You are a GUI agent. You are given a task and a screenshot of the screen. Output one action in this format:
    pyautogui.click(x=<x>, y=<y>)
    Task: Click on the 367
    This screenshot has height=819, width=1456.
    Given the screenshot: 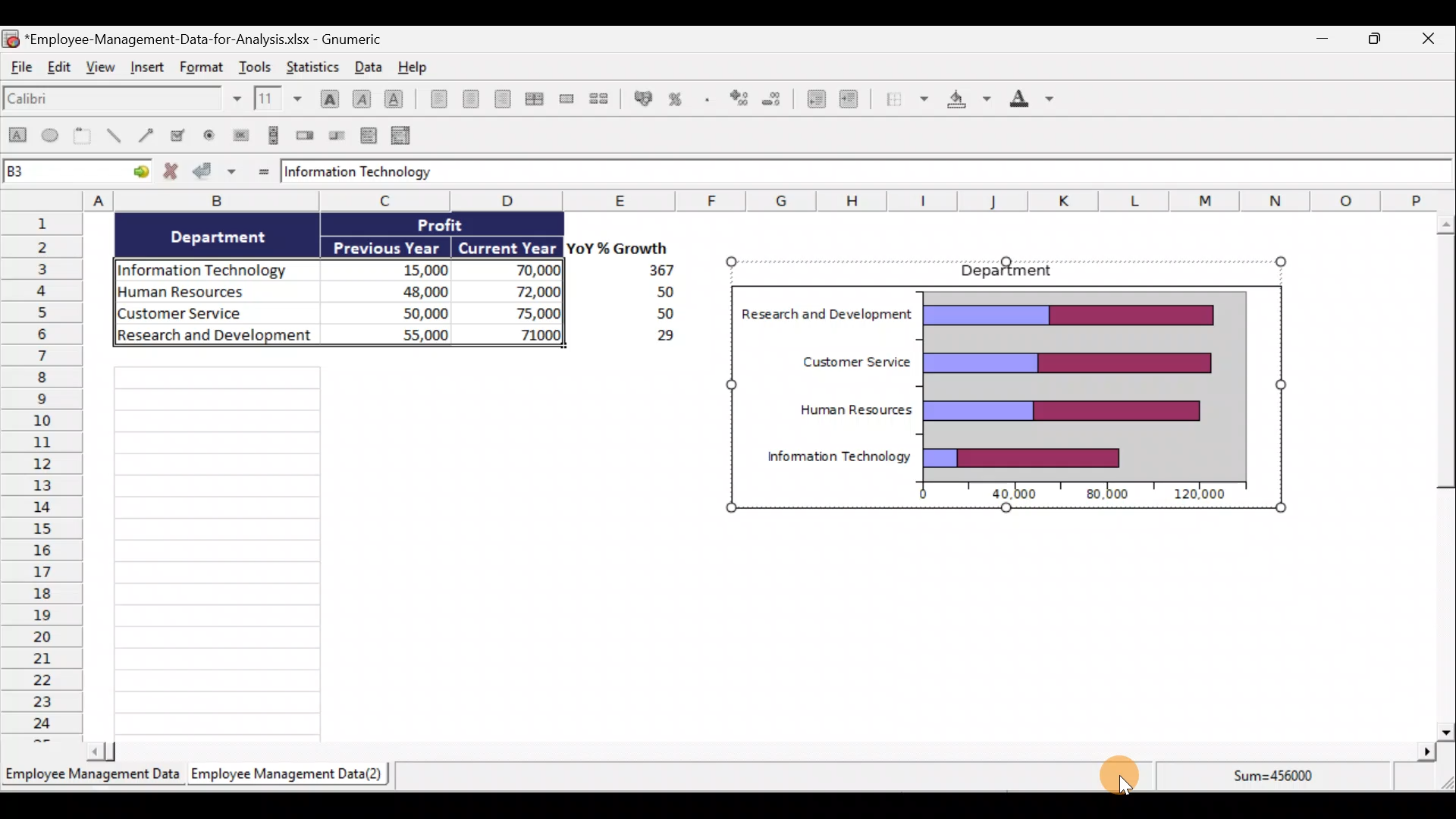 What is the action you would take?
    pyautogui.click(x=656, y=271)
    